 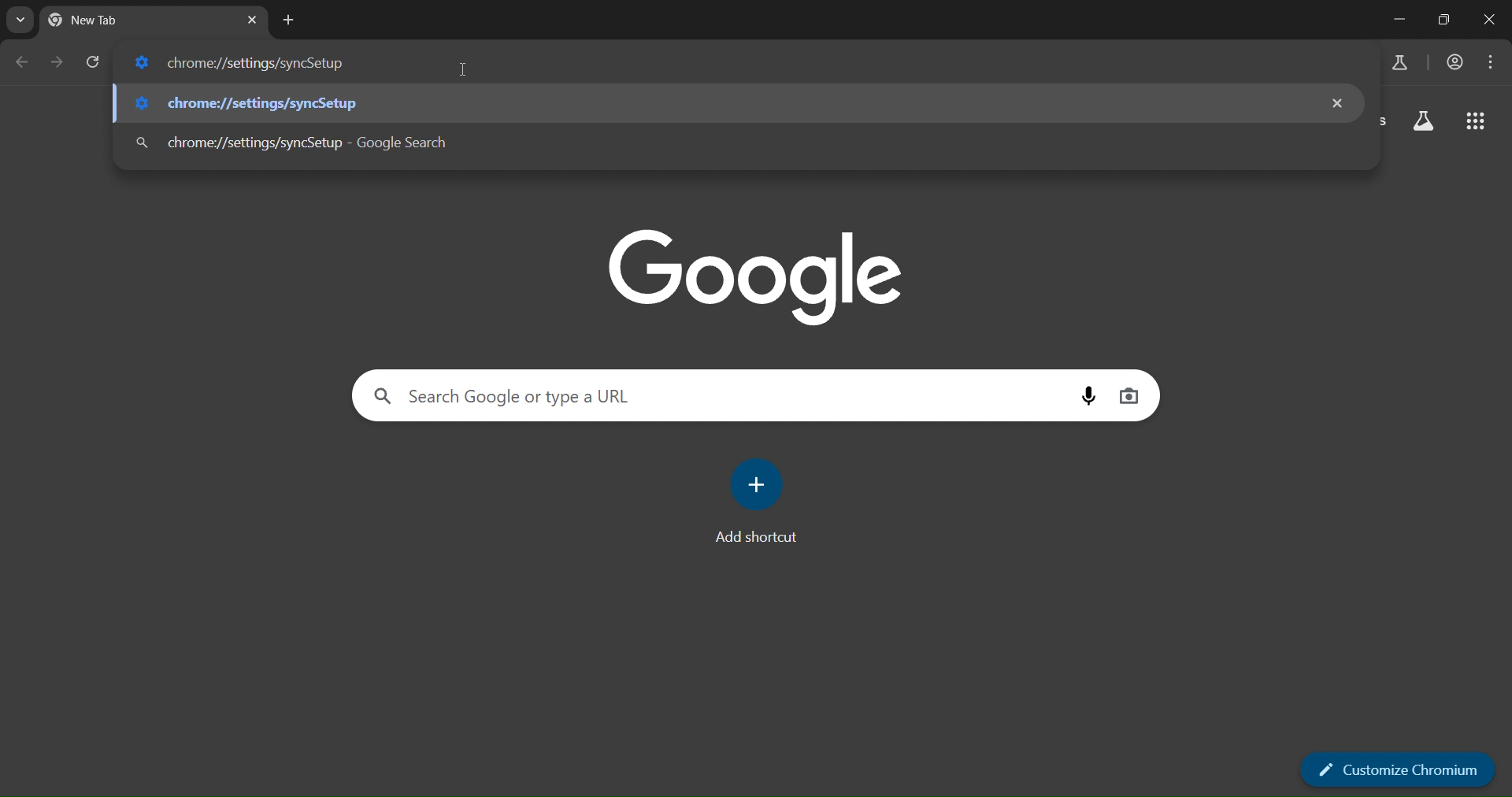 What do you see at coordinates (255, 22) in the screenshot?
I see `close tab` at bounding box center [255, 22].